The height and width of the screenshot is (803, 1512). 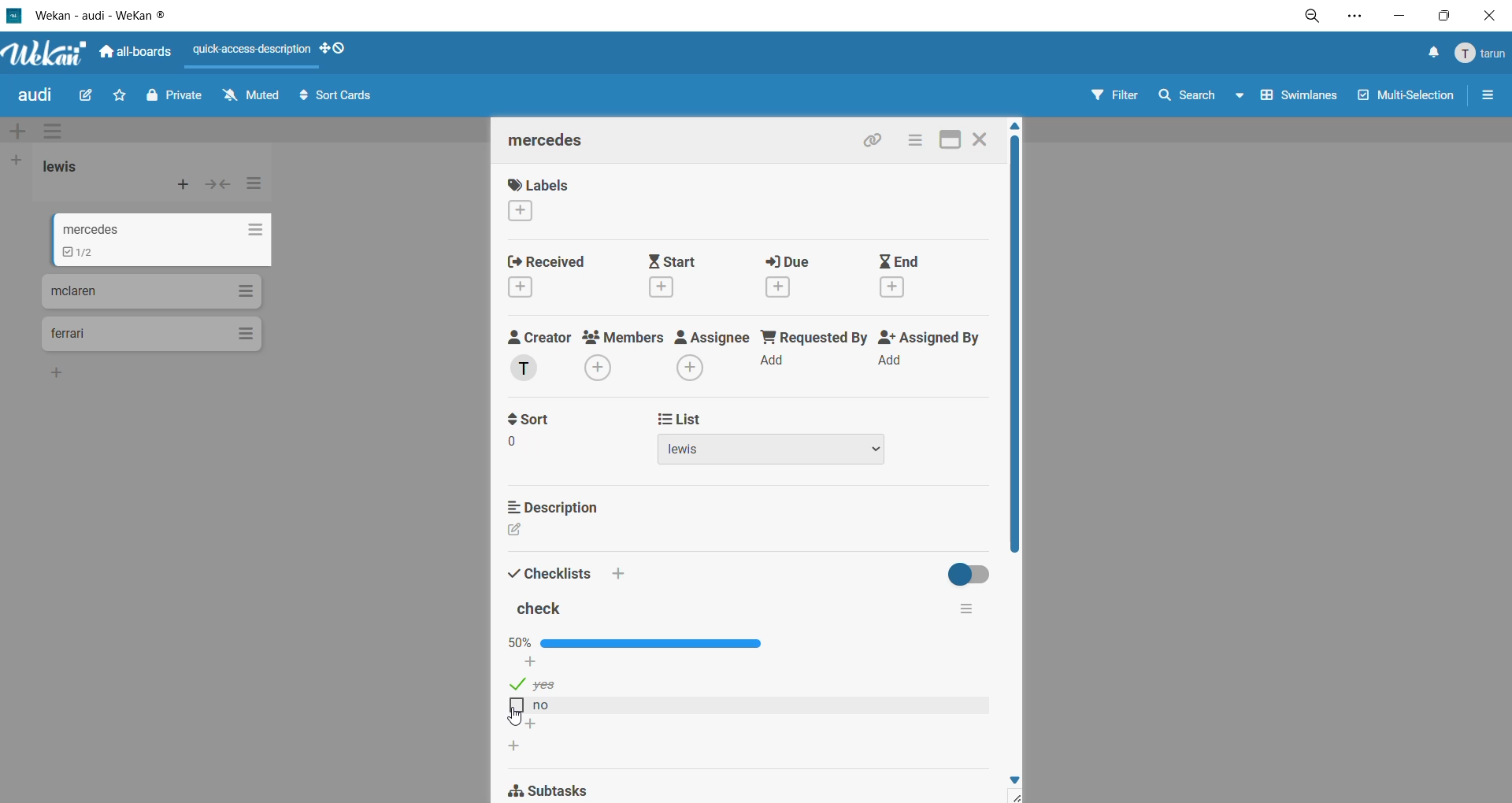 What do you see at coordinates (516, 717) in the screenshot?
I see `cursor` at bounding box center [516, 717].